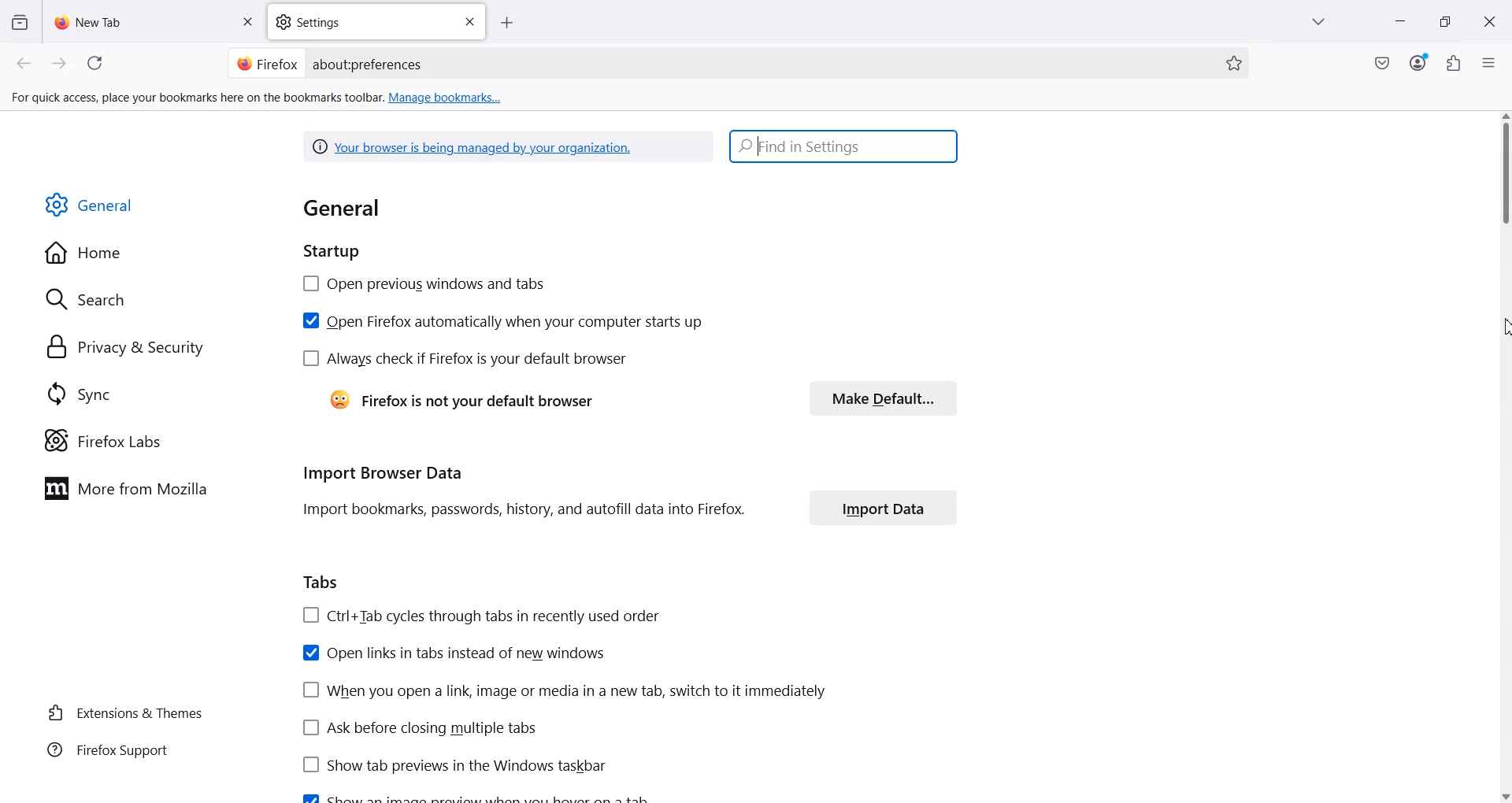 This screenshot has height=803, width=1512. I want to click on Refresh, so click(98, 64).